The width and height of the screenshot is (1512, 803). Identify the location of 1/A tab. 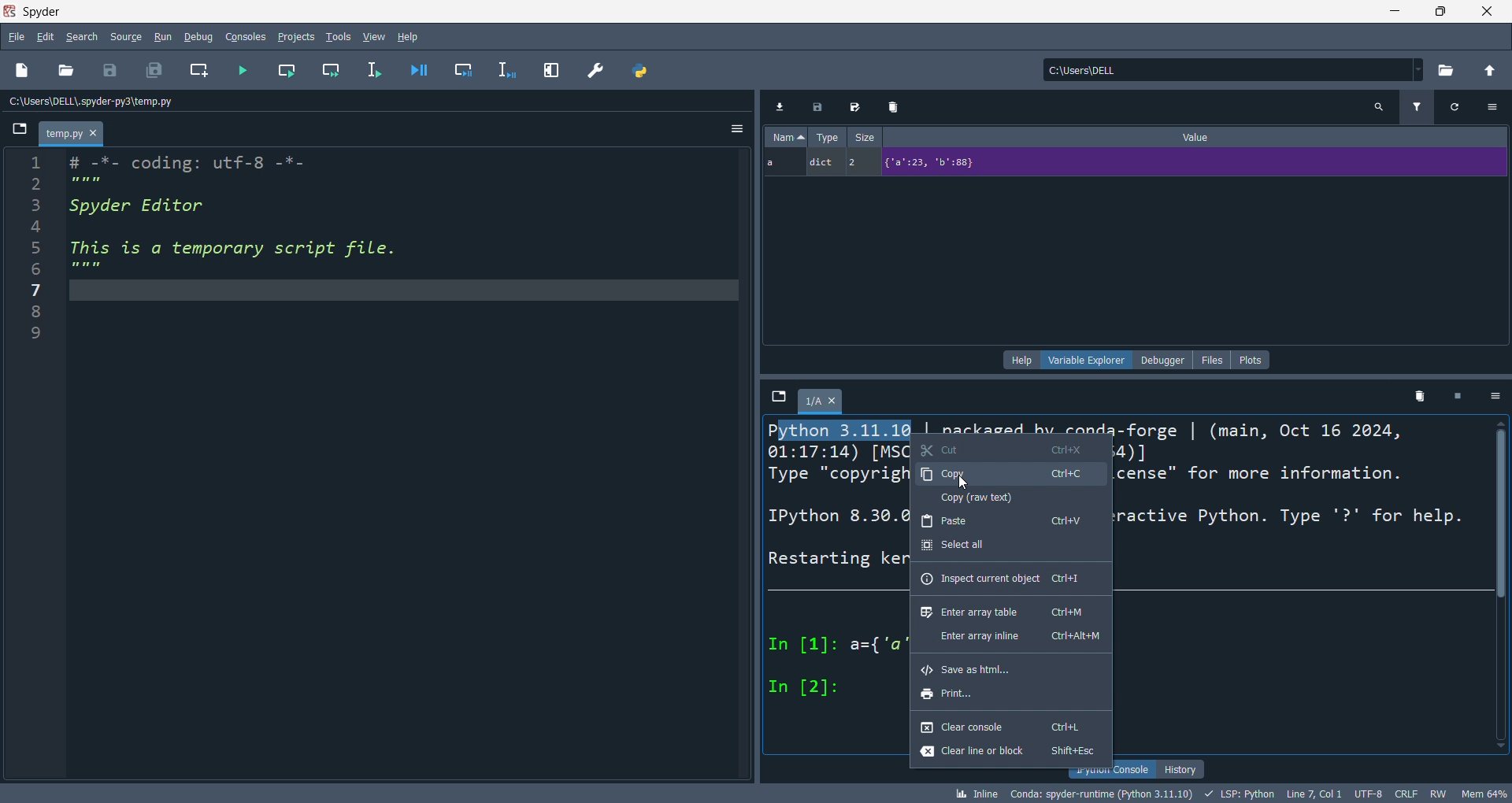
(825, 404).